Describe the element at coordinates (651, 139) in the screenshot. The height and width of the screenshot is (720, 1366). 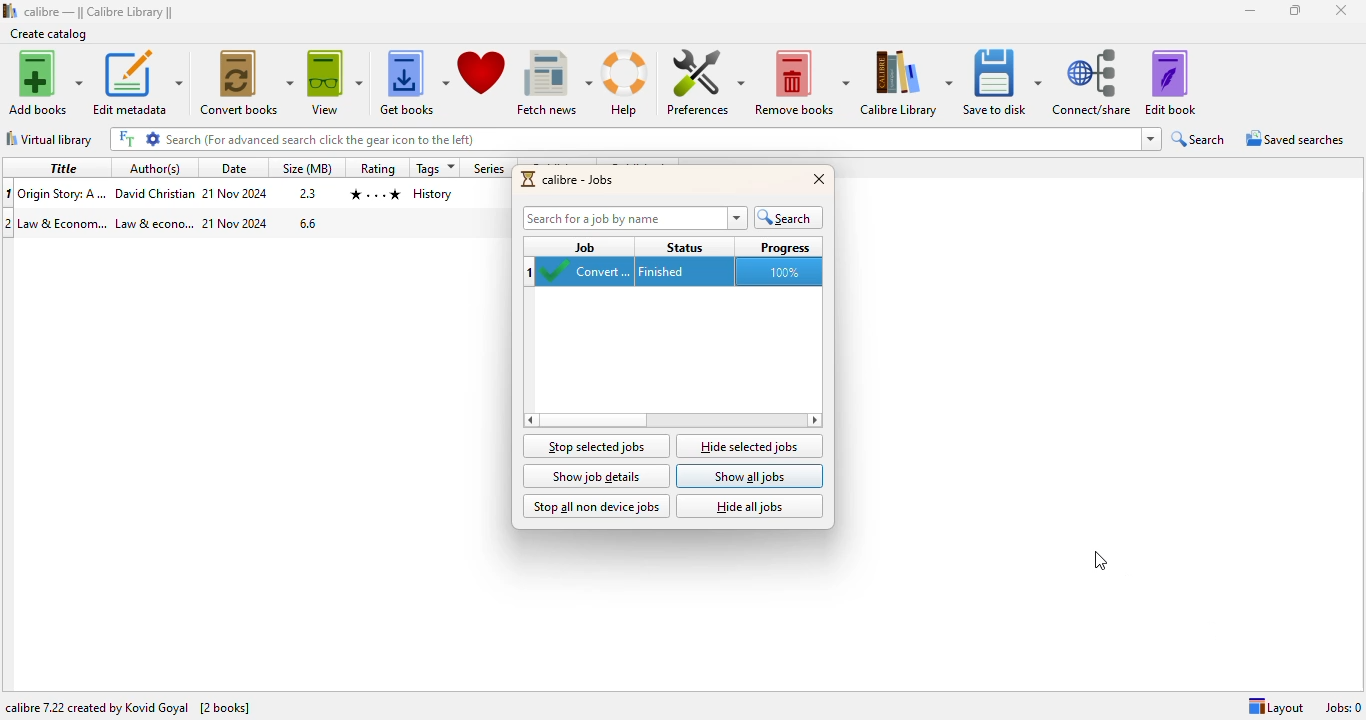
I see `search` at that location.